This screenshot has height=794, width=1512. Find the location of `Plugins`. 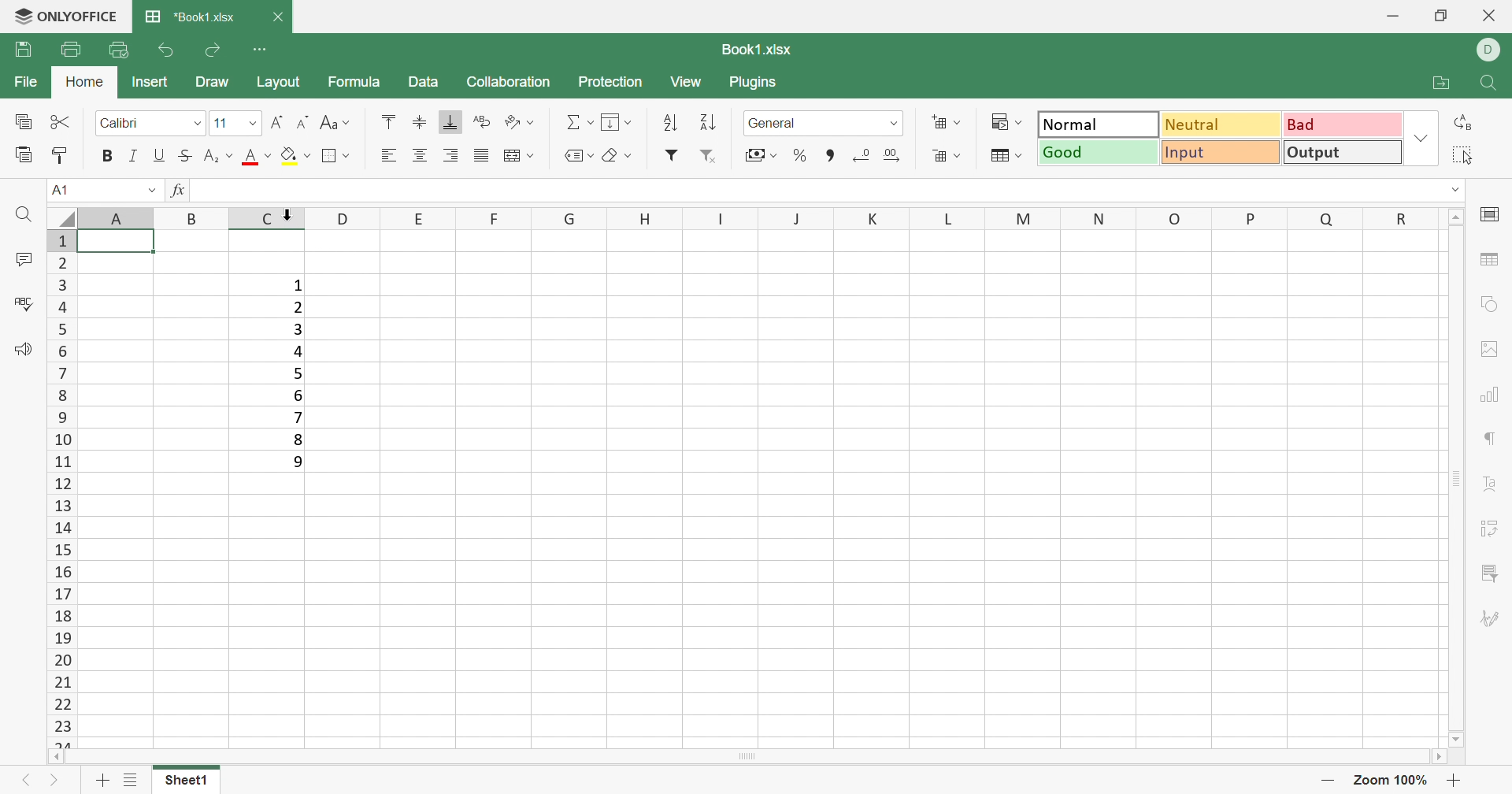

Plugins is located at coordinates (752, 84).